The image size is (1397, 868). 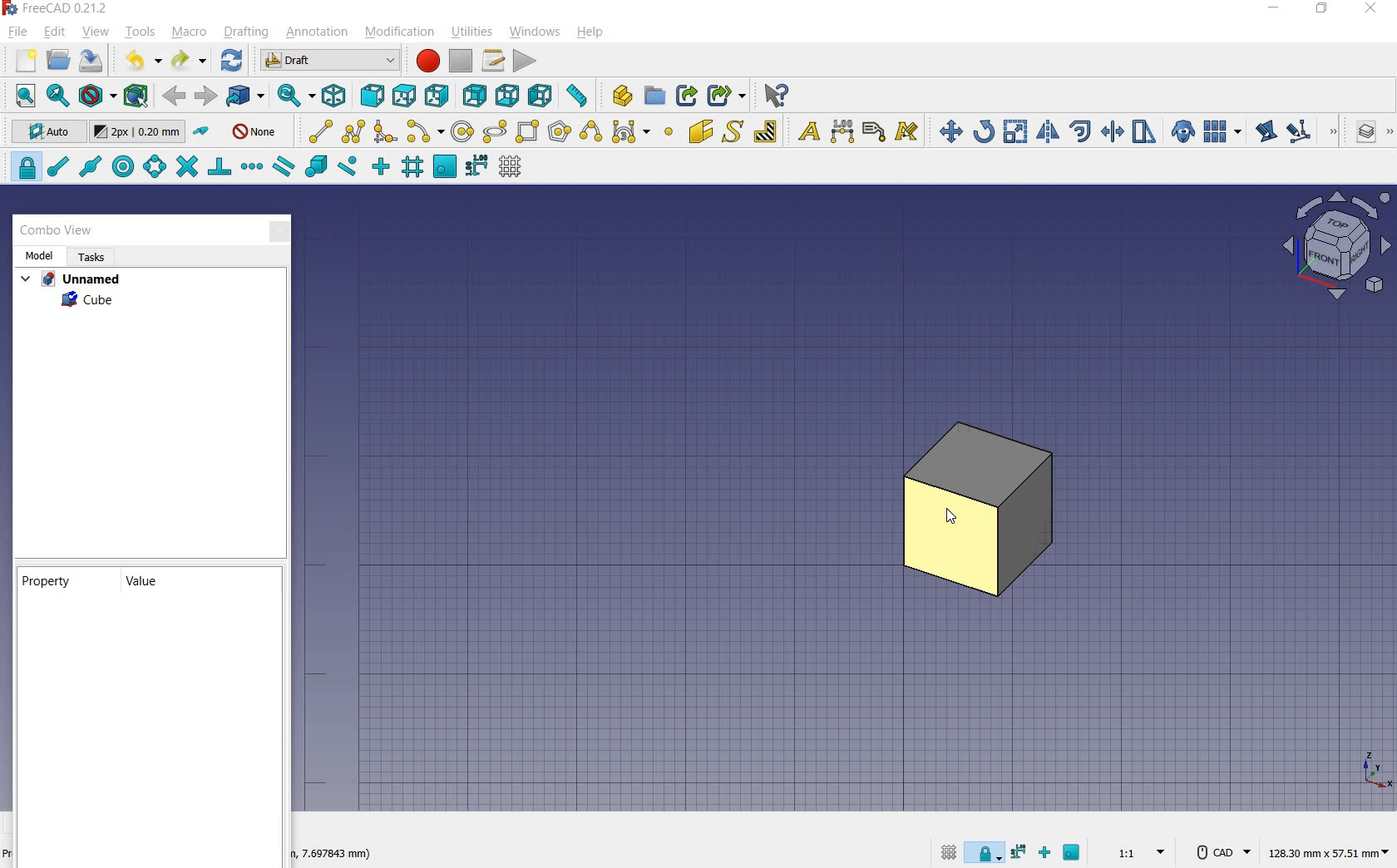 What do you see at coordinates (284, 169) in the screenshot?
I see `snap parallel` at bounding box center [284, 169].